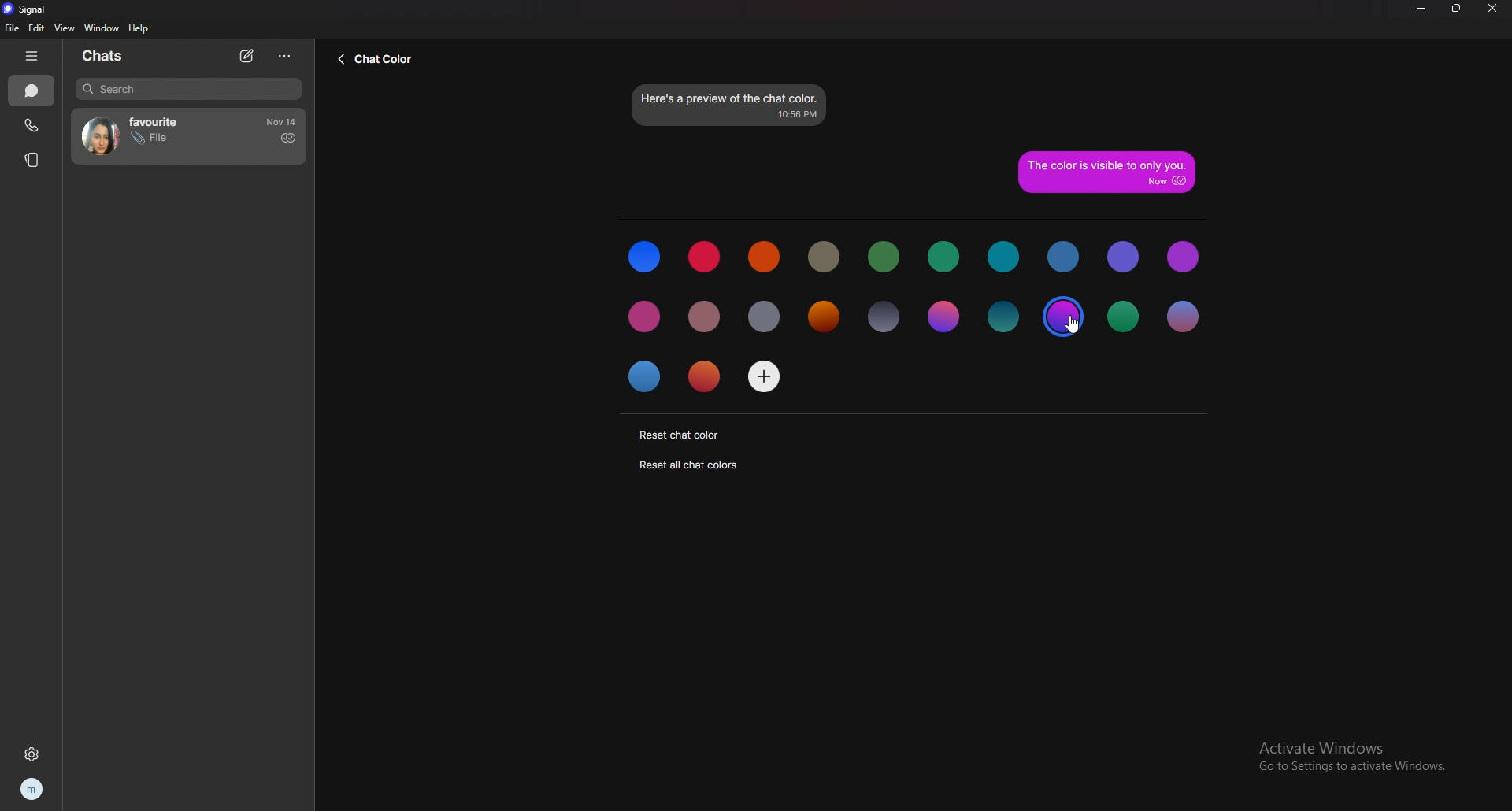  What do you see at coordinates (883, 318) in the screenshot?
I see `color` at bounding box center [883, 318].